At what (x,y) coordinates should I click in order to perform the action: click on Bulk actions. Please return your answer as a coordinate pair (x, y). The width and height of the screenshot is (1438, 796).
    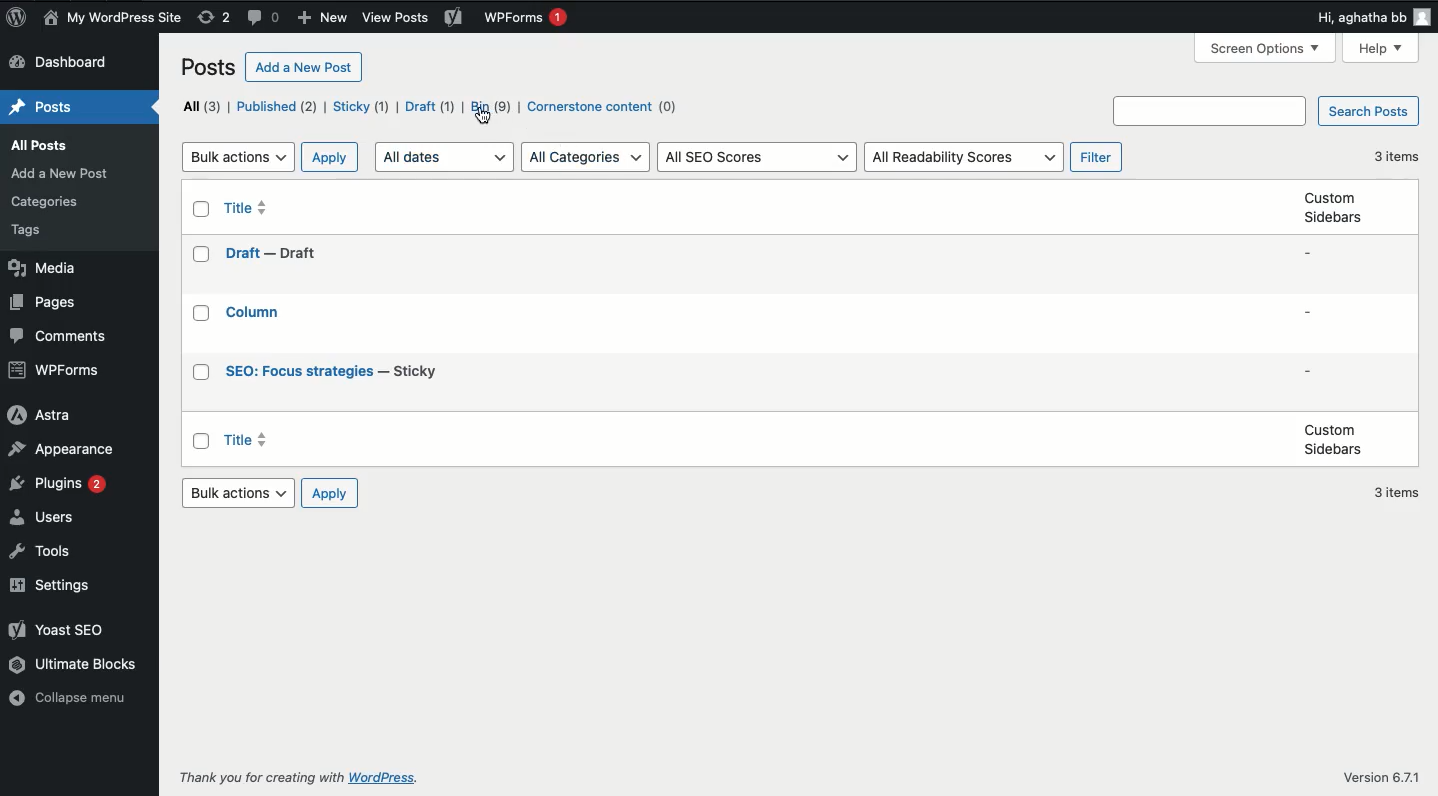
    Looking at the image, I should click on (236, 493).